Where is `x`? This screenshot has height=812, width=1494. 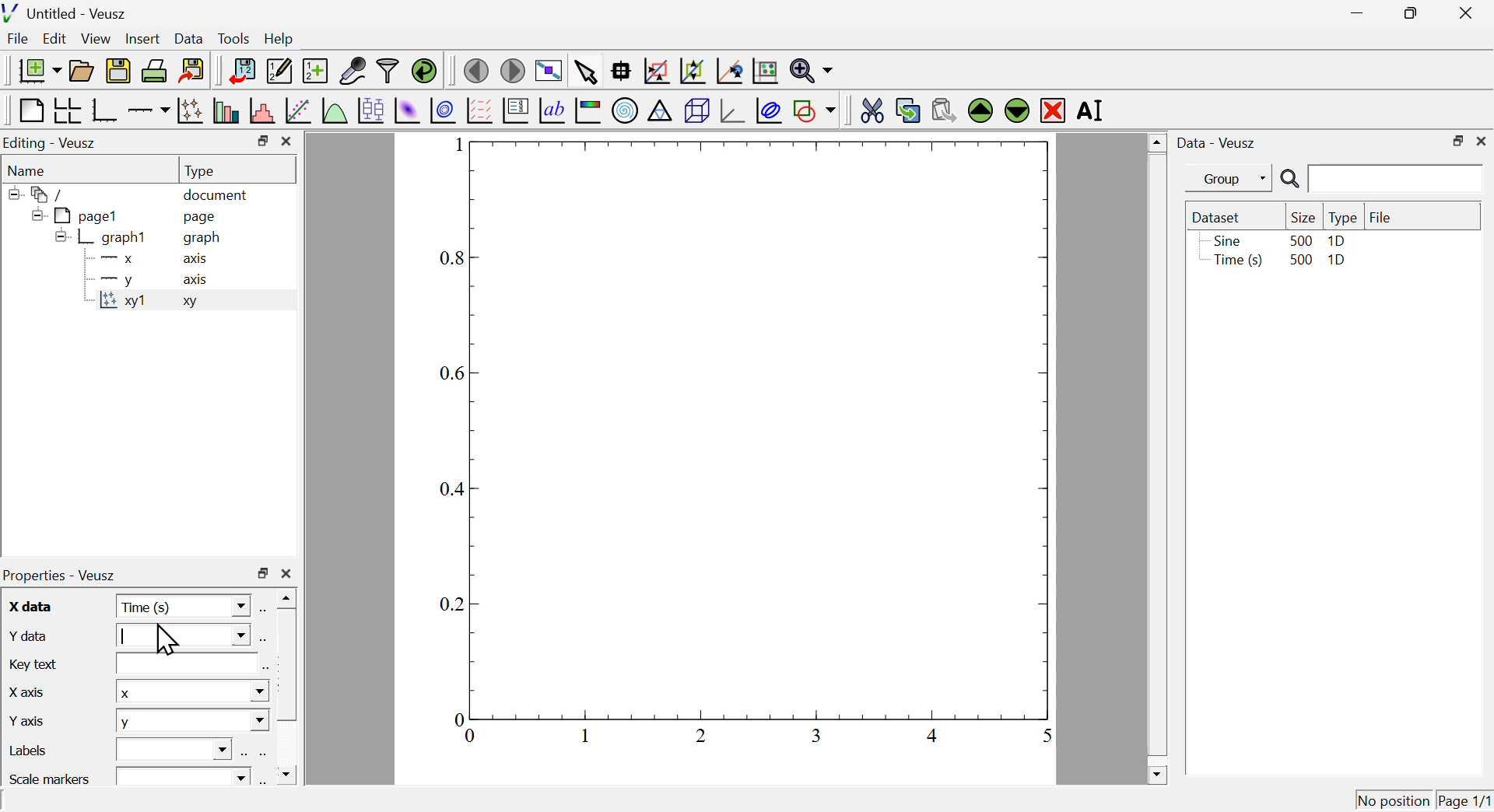 x is located at coordinates (113, 261).